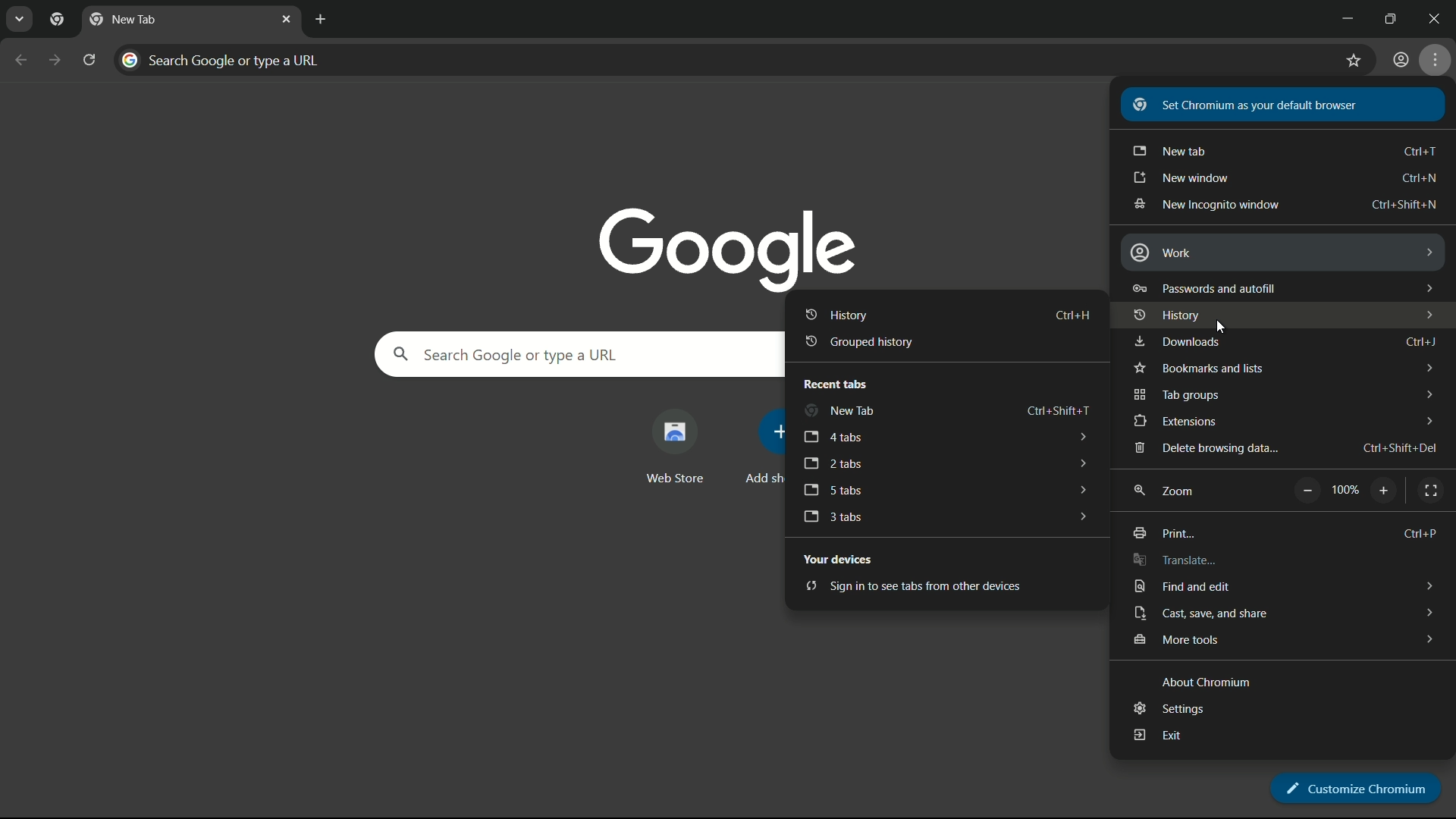 The width and height of the screenshot is (1456, 819). What do you see at coordinates (57, 20) in the screenshot?
I see `pinned tab` at bounding box center [57, 20].